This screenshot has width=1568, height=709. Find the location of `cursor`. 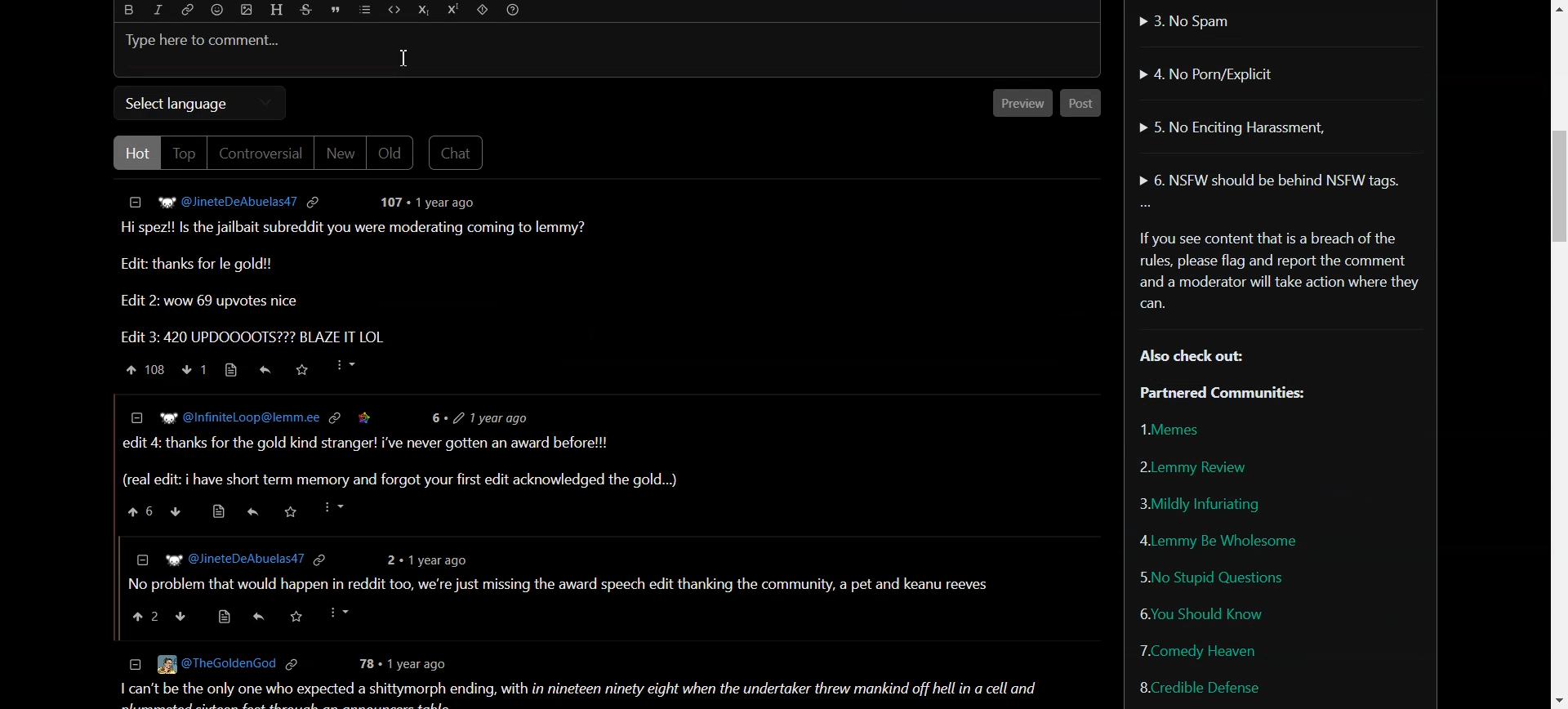

cursor is located at coordinates (412, 55).